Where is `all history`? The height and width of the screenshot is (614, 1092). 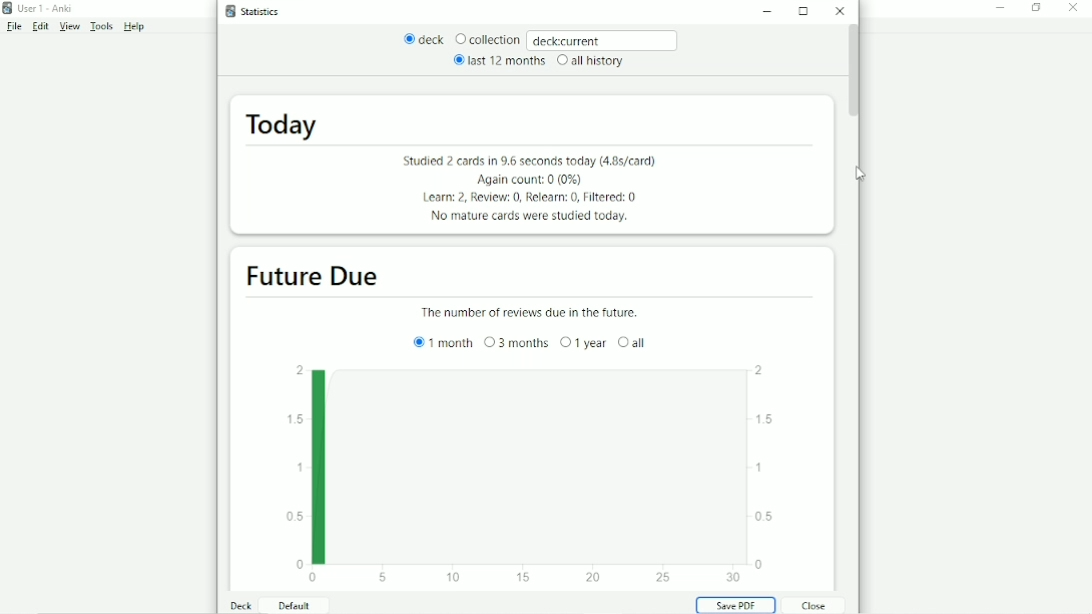
all history is located at coordinates (589, 61).